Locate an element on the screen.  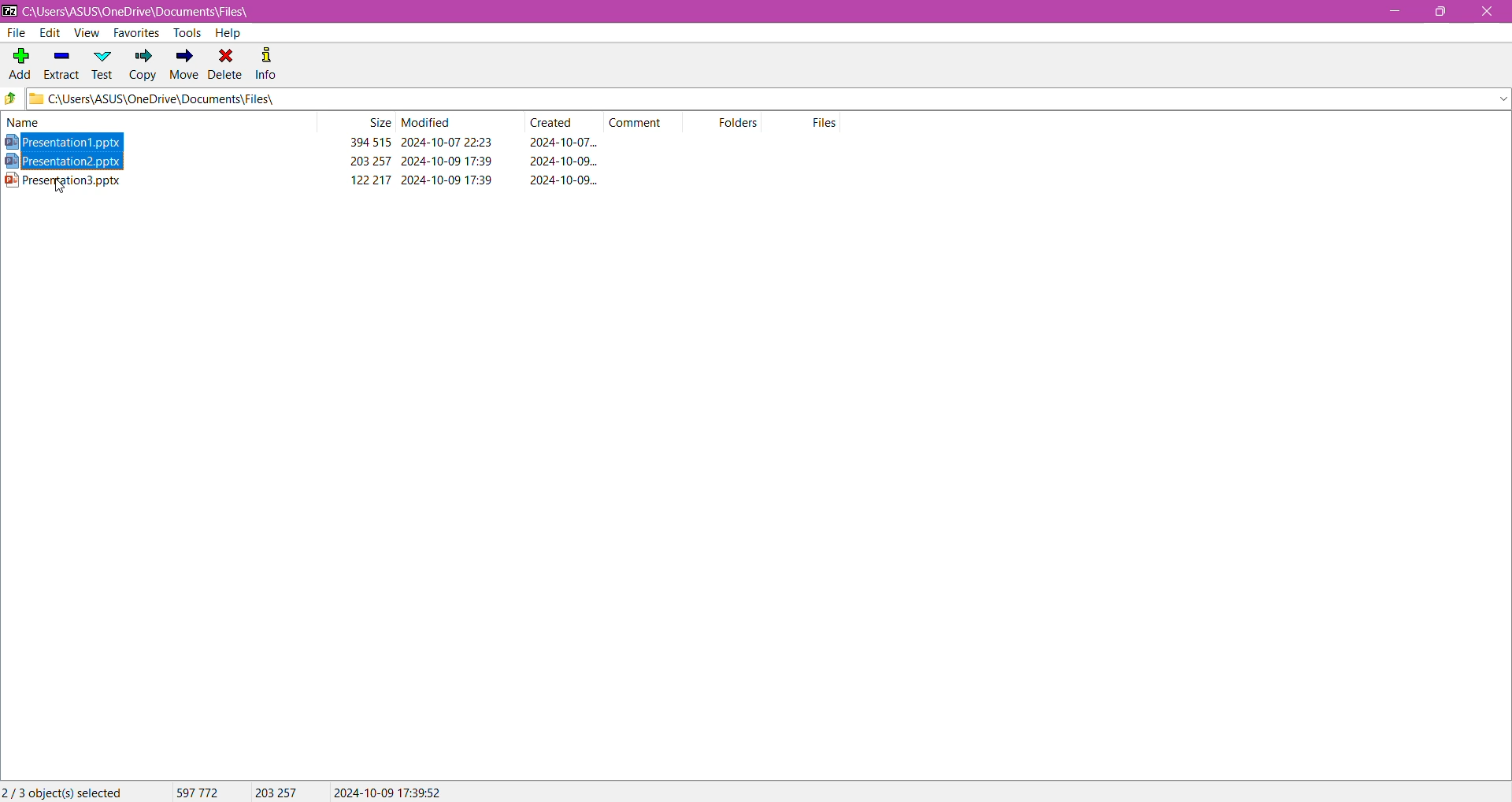
C\Users\ASUS\OneDrive\Documents\Files\ is located at coordinates (180, 100).